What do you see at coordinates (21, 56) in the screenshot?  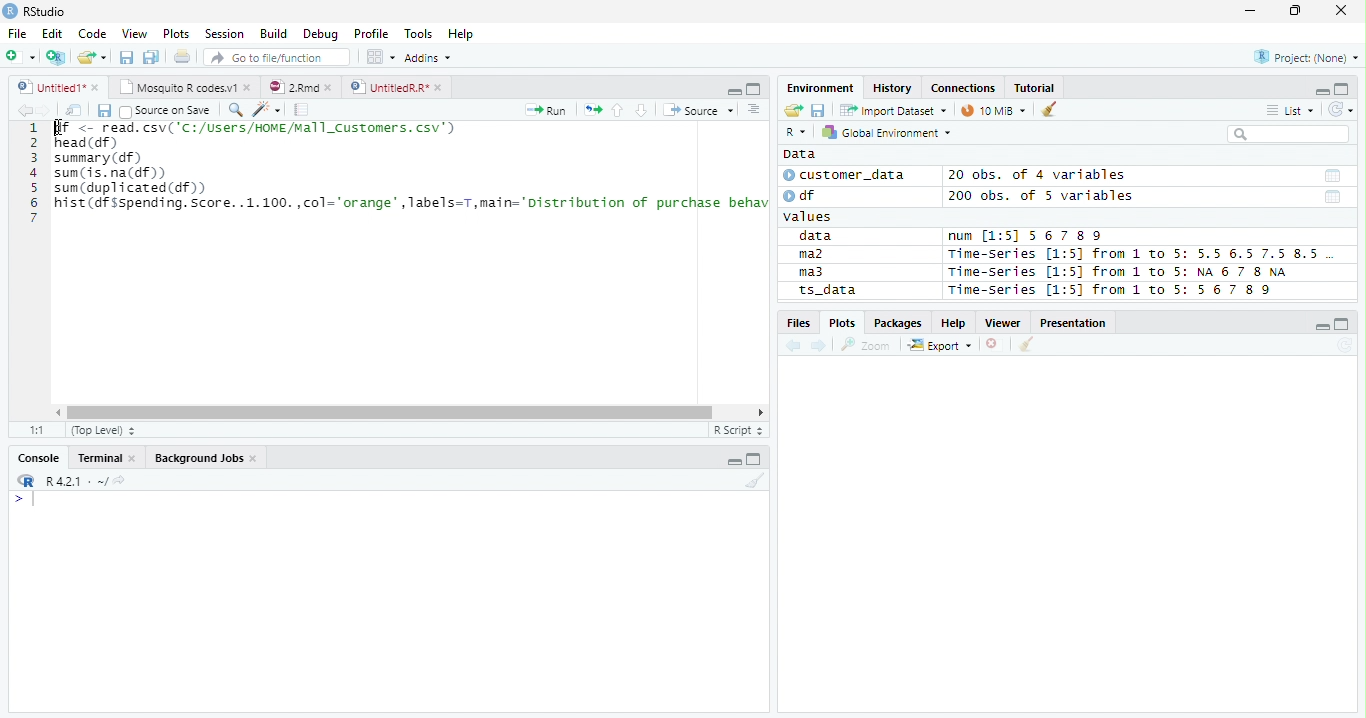 I see `New File` at bounding box center [21, 56].